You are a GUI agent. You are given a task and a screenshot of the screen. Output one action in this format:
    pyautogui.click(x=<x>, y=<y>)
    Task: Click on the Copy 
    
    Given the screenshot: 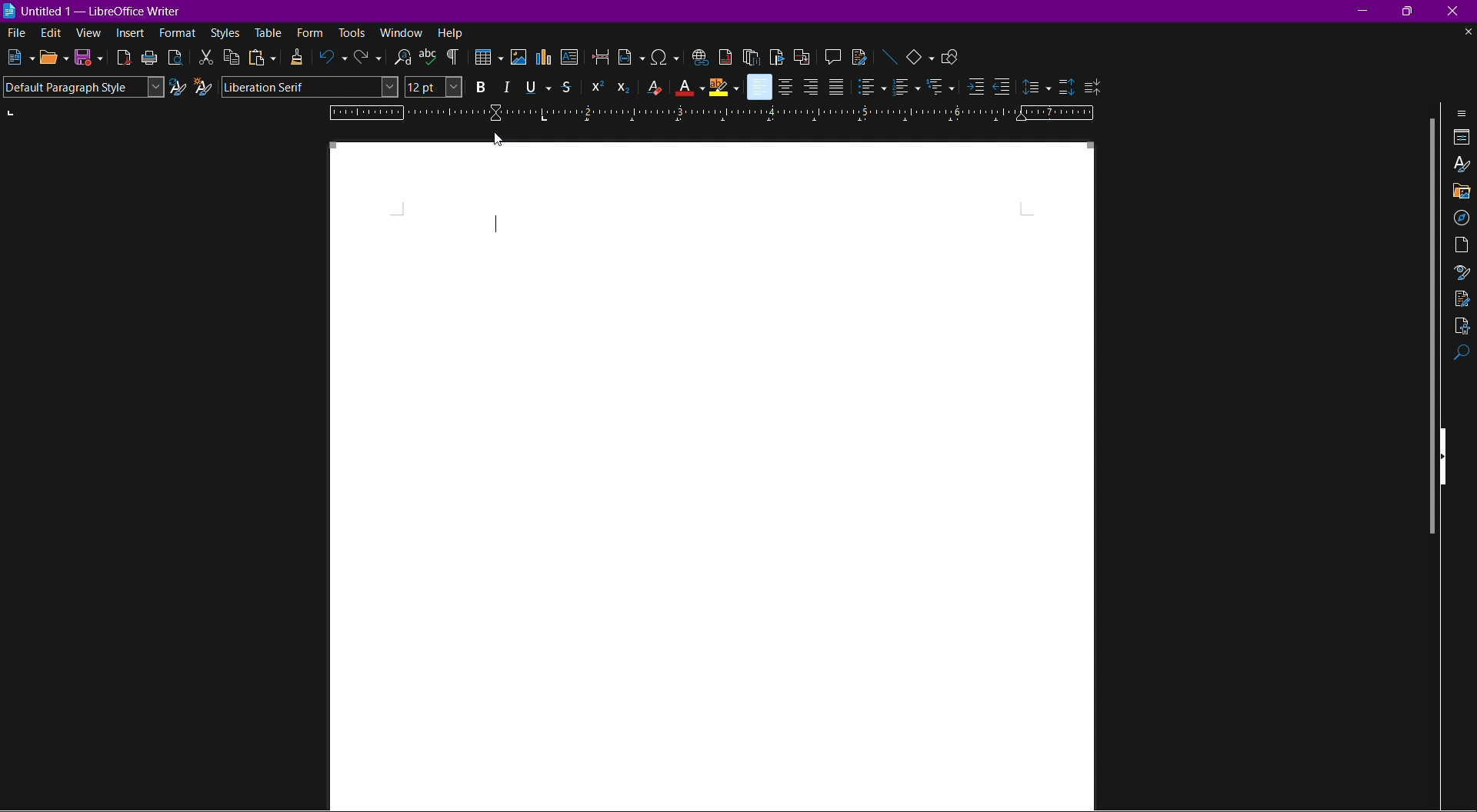 What is the action you would take?
    pyautogui.click(x=232, y=58)
    